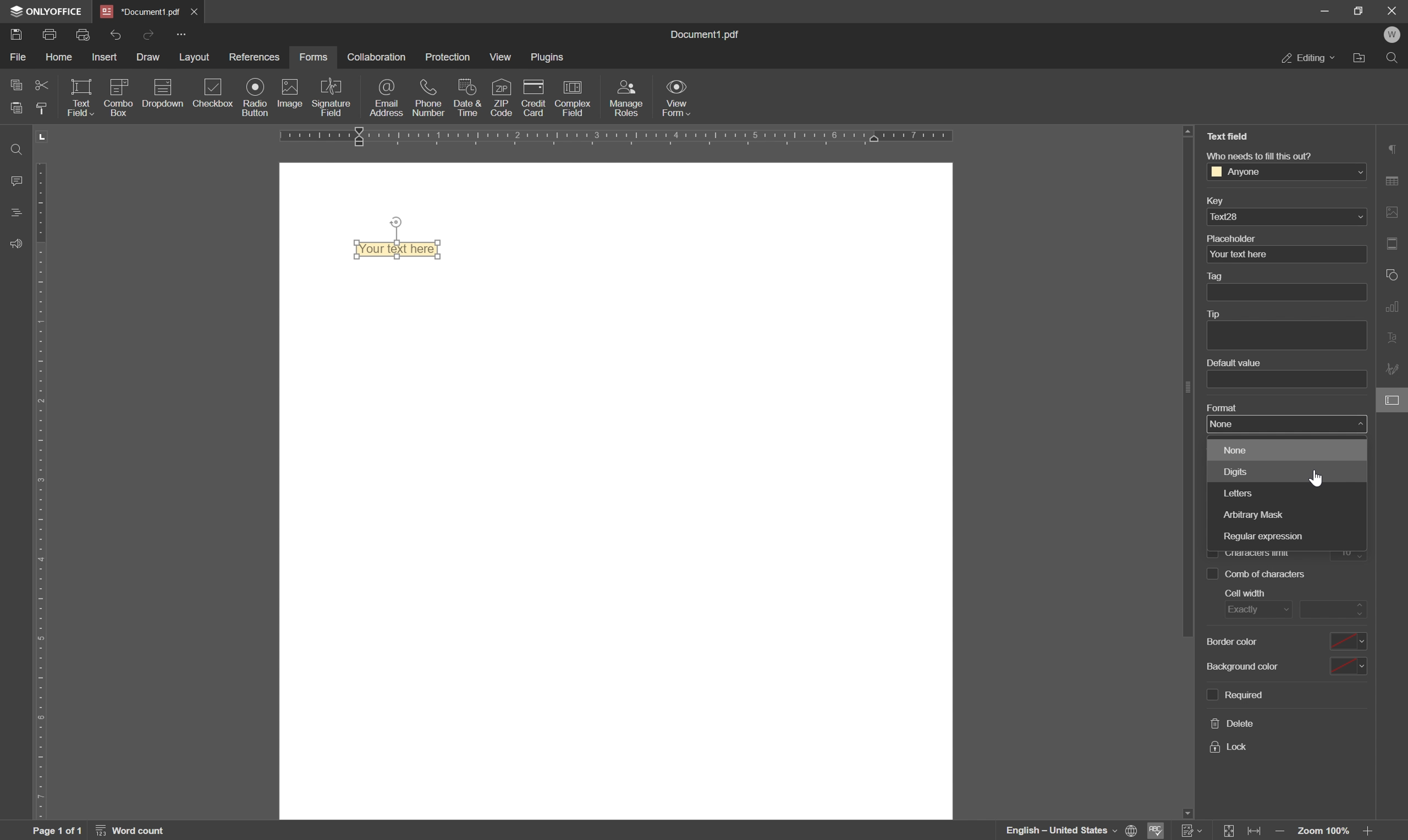 This screenshot has width=1408, height=840. Describe the element at coordinates (384, 98) in the screenshot. I see `email address` at that location.